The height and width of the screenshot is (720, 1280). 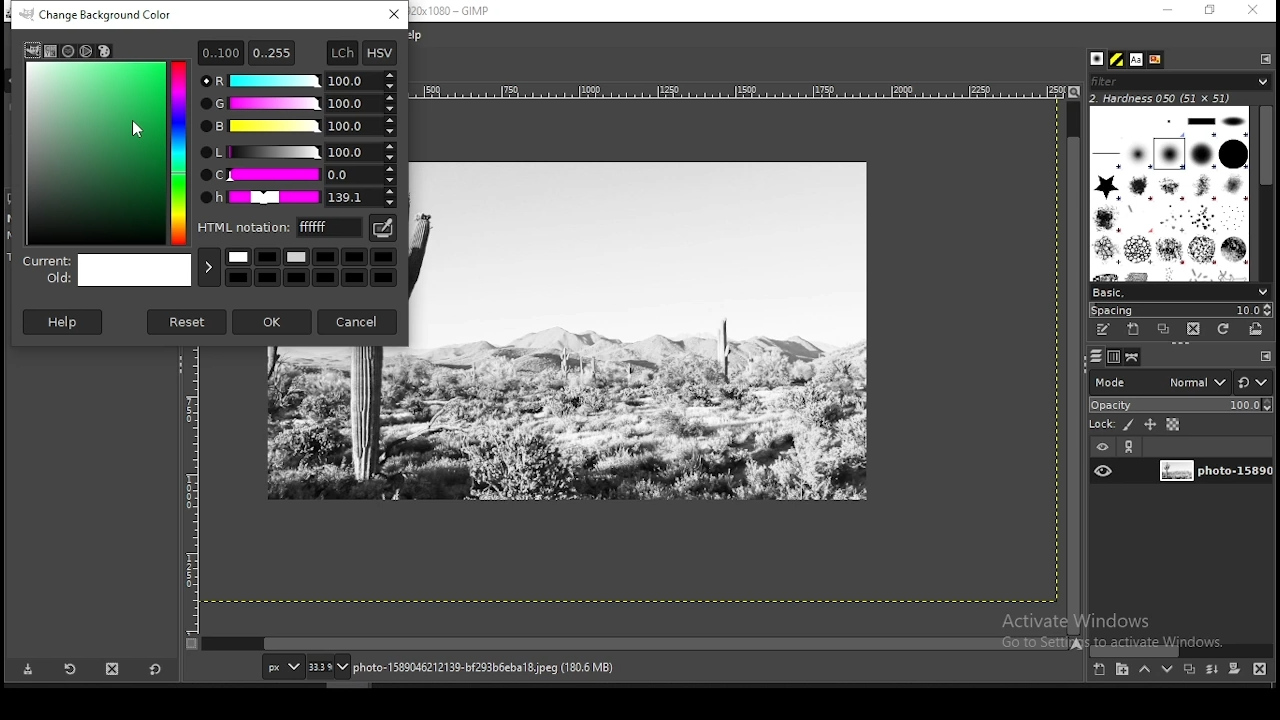 I want to click on units, so click(x=280, y=666).